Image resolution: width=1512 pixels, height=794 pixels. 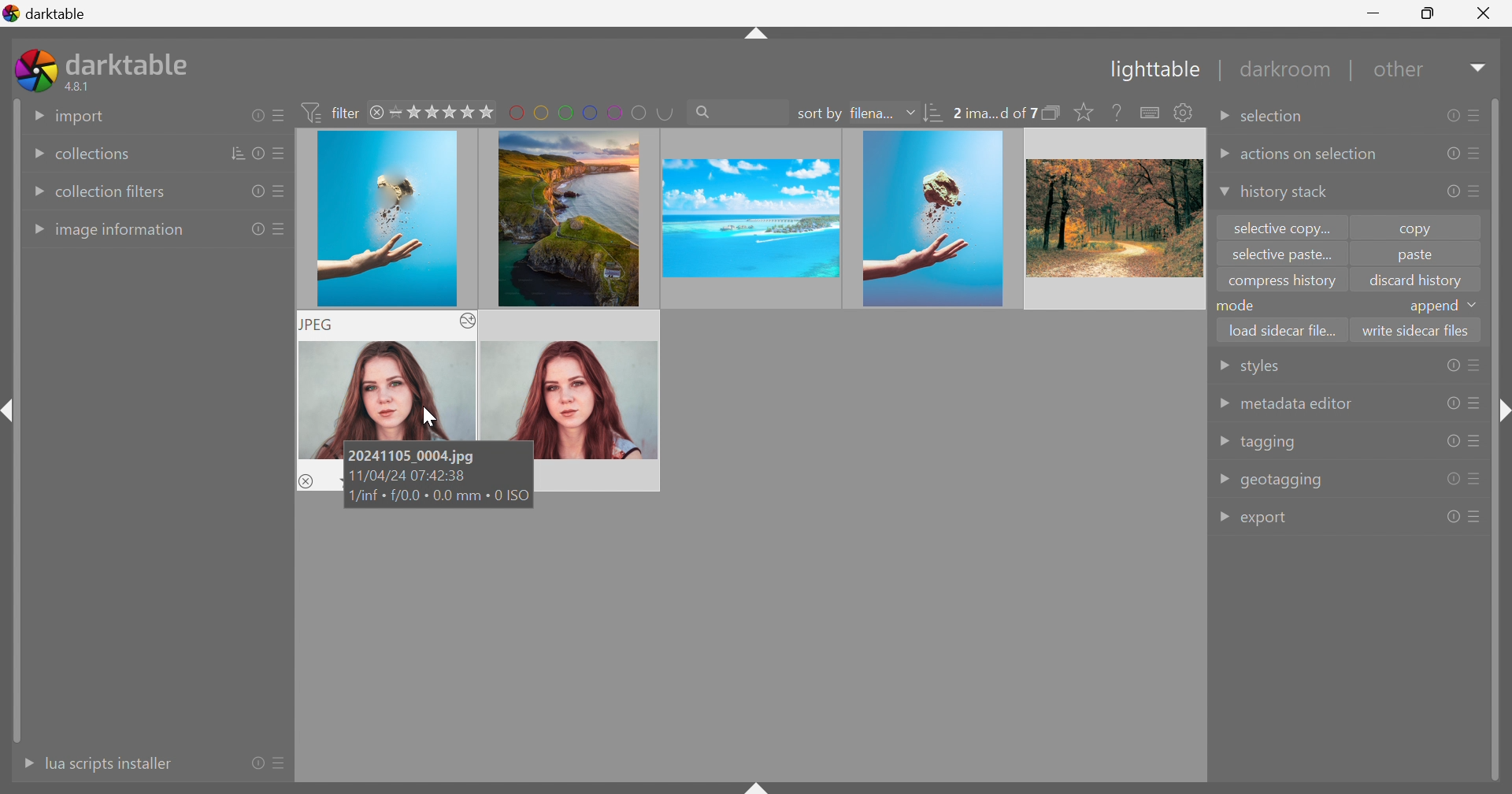 What do you see at coordinates (427, 416) in the screenshot?
I see `Cursor` at bounding box center [427, 416].